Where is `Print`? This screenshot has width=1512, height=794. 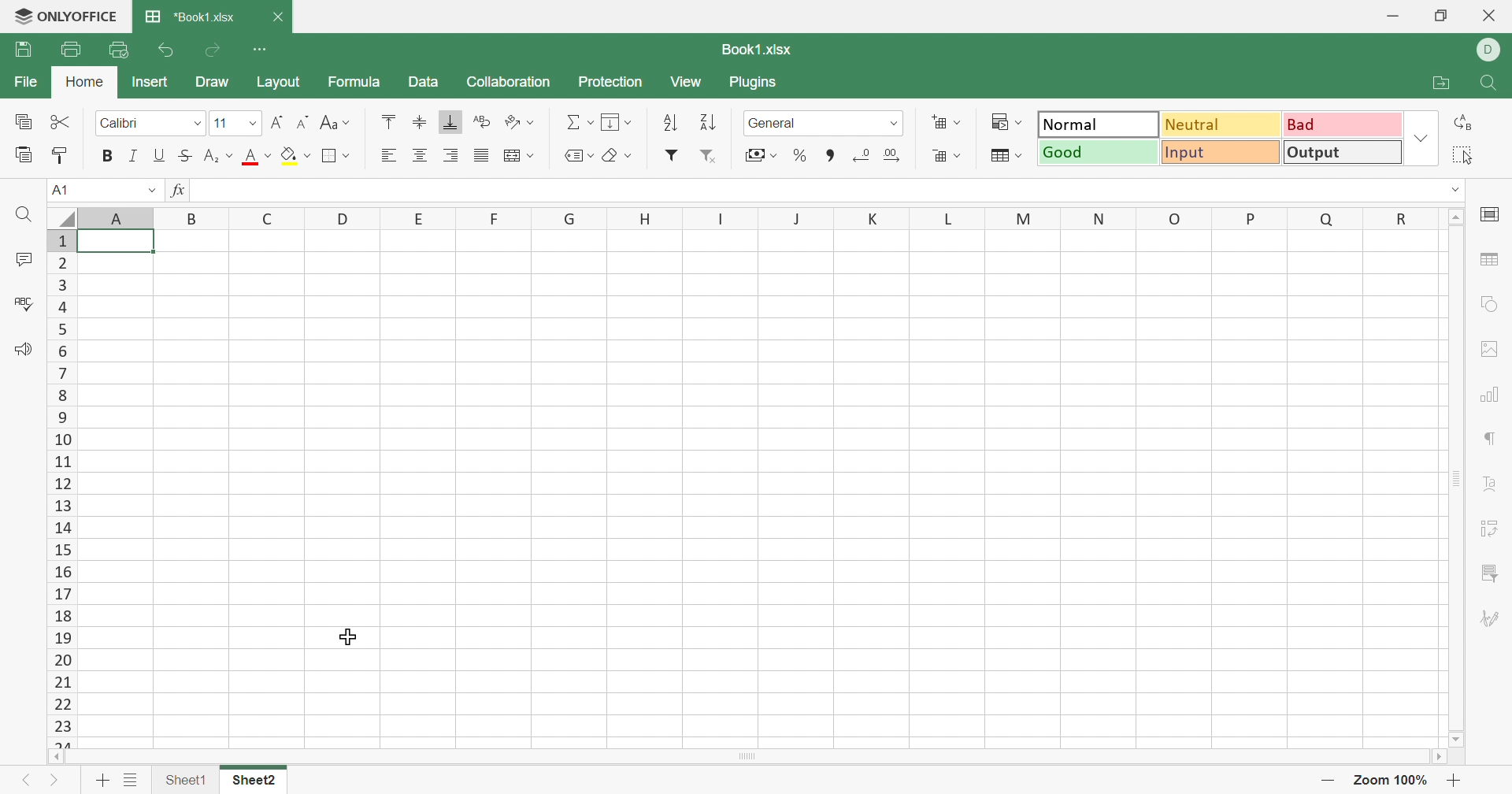
Print is located at coordinates (72, 50).